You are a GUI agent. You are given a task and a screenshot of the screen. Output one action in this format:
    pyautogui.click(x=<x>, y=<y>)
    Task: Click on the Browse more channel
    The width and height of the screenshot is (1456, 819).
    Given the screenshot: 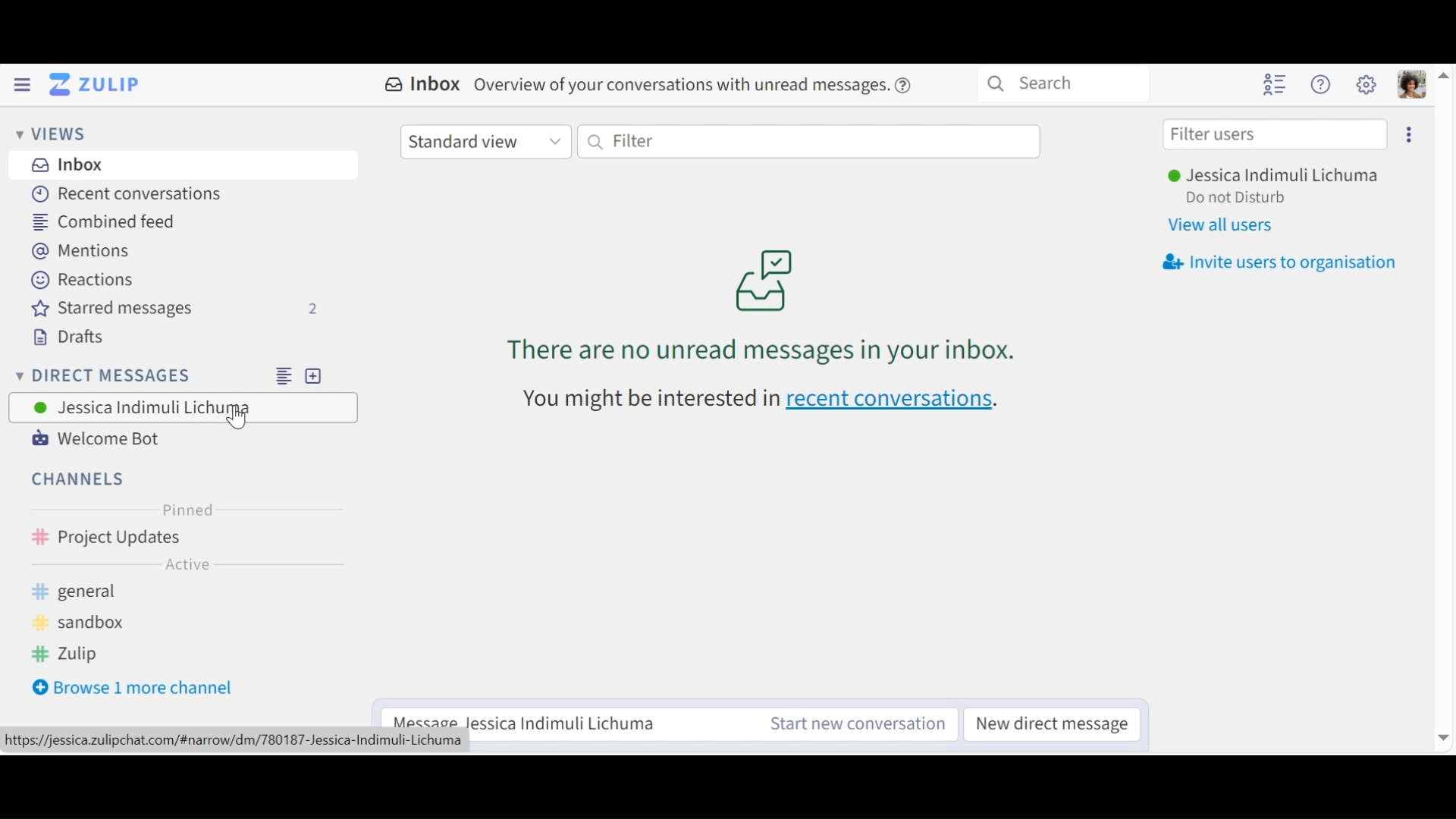 What is the action you would take?
    pyautogui.click(x=133, y=688)
    